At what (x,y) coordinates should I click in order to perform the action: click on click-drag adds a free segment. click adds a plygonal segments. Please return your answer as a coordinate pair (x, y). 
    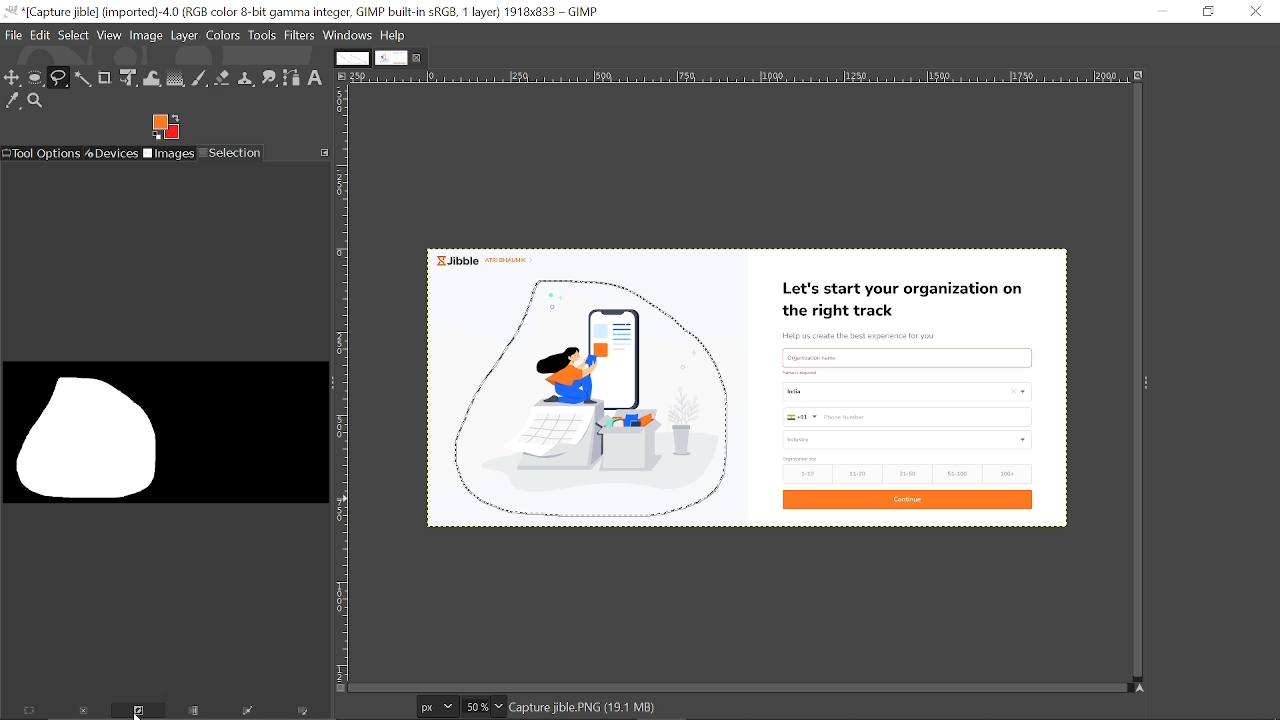
    Looking at the image, I should click on (694, 706).